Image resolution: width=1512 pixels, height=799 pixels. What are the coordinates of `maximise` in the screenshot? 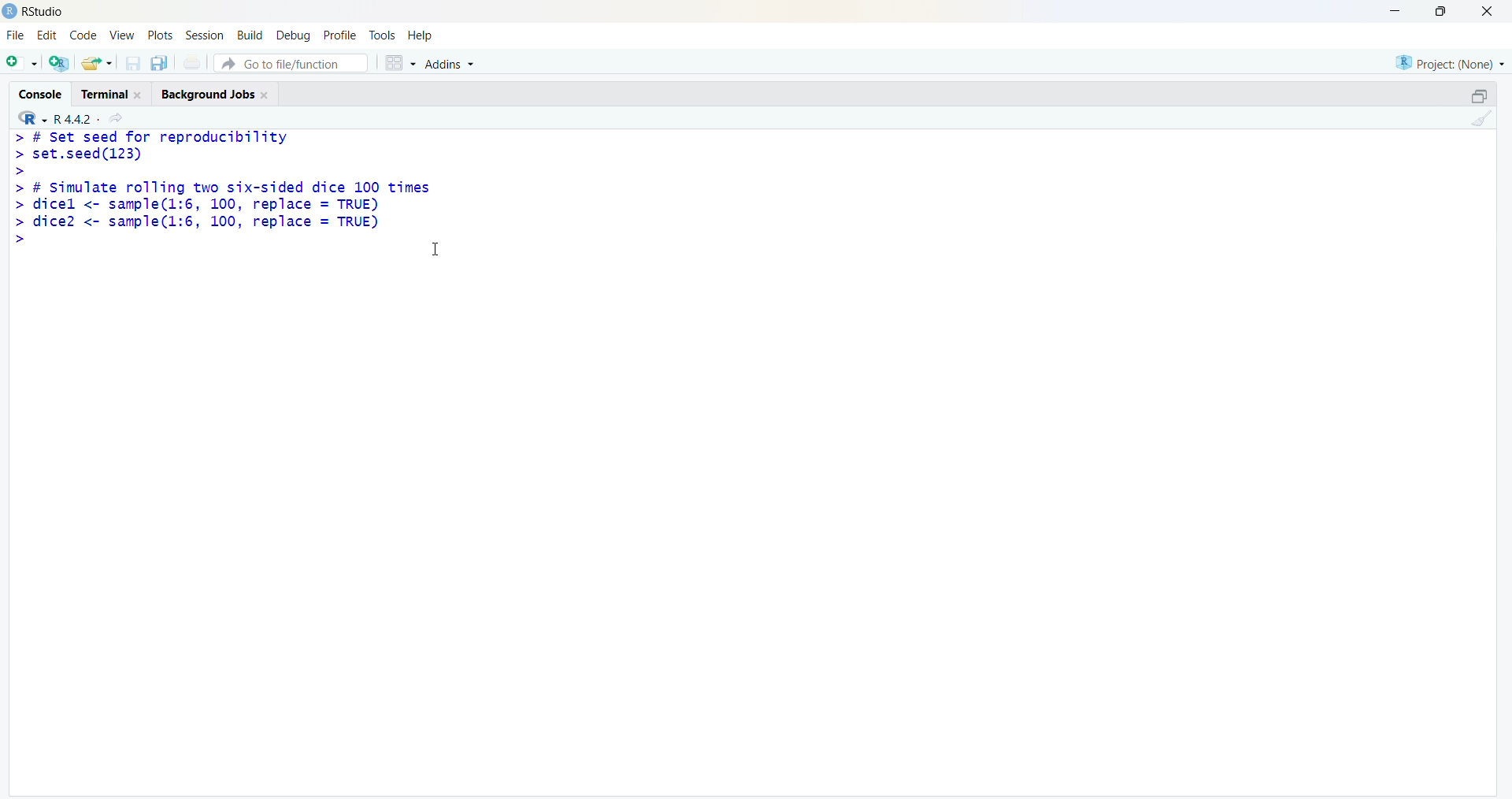 It's located at (1445, 11).